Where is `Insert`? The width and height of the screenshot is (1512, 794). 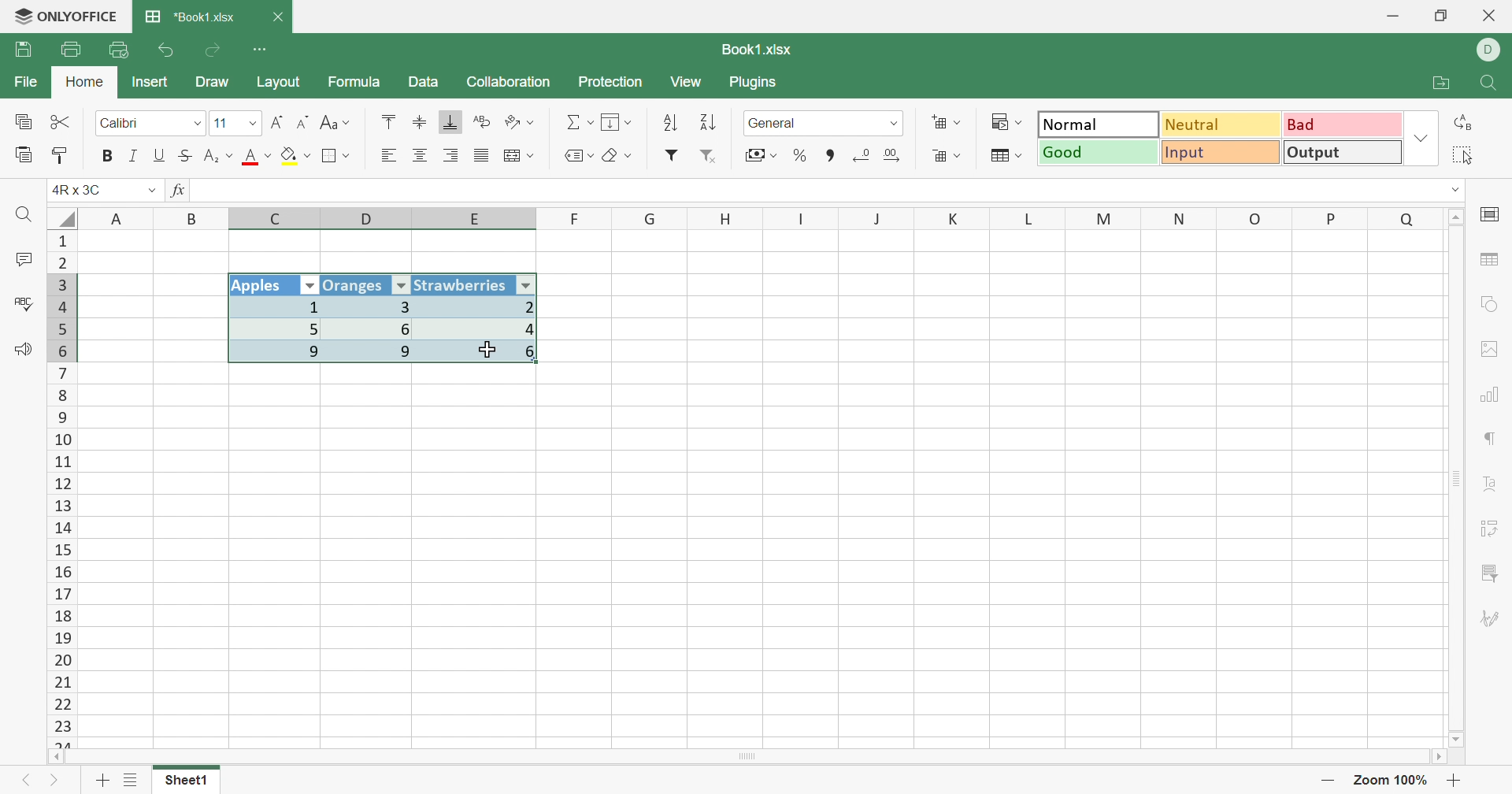 Insert is located at coordinates (150, 81).